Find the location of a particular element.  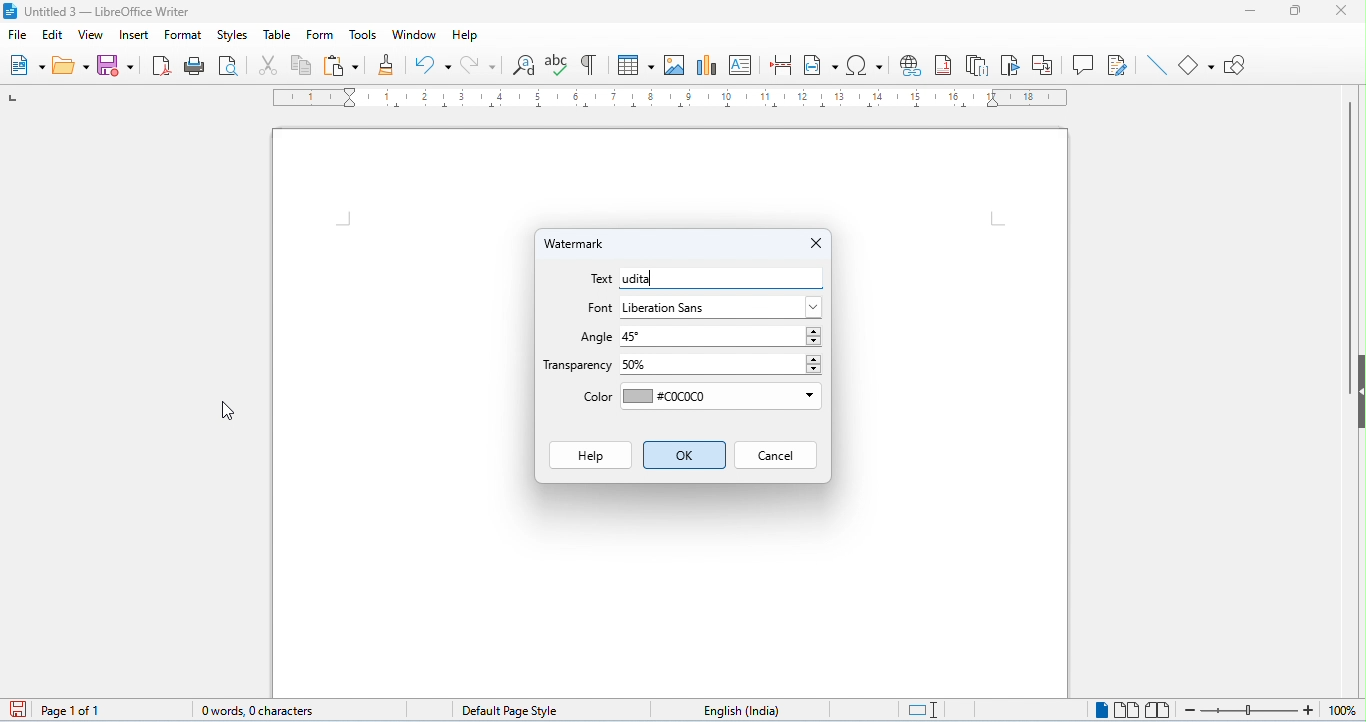

find and replace is located at coordinates (526, 66).